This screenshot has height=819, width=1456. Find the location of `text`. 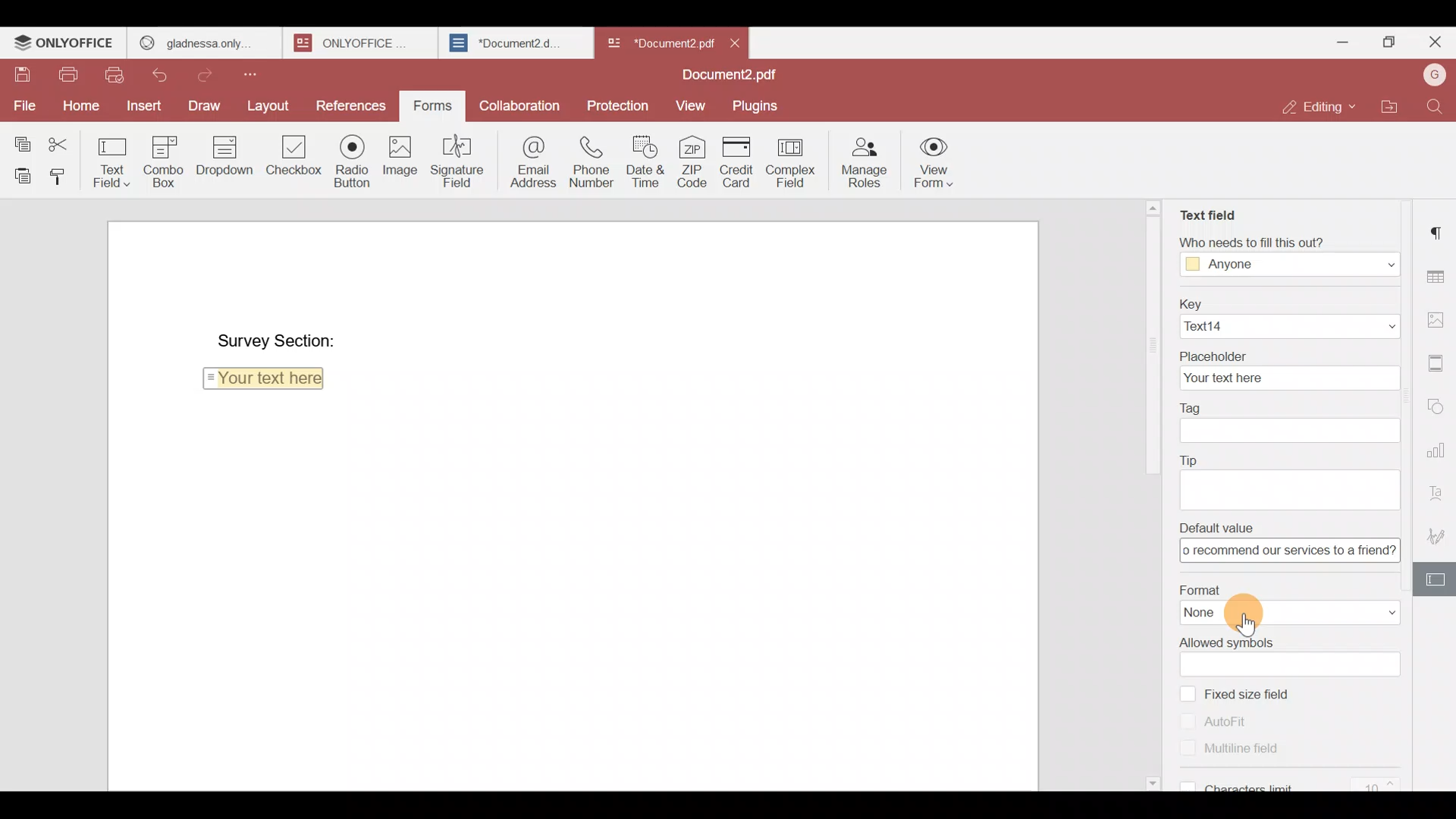

text is located at coordinates (1293, 488).